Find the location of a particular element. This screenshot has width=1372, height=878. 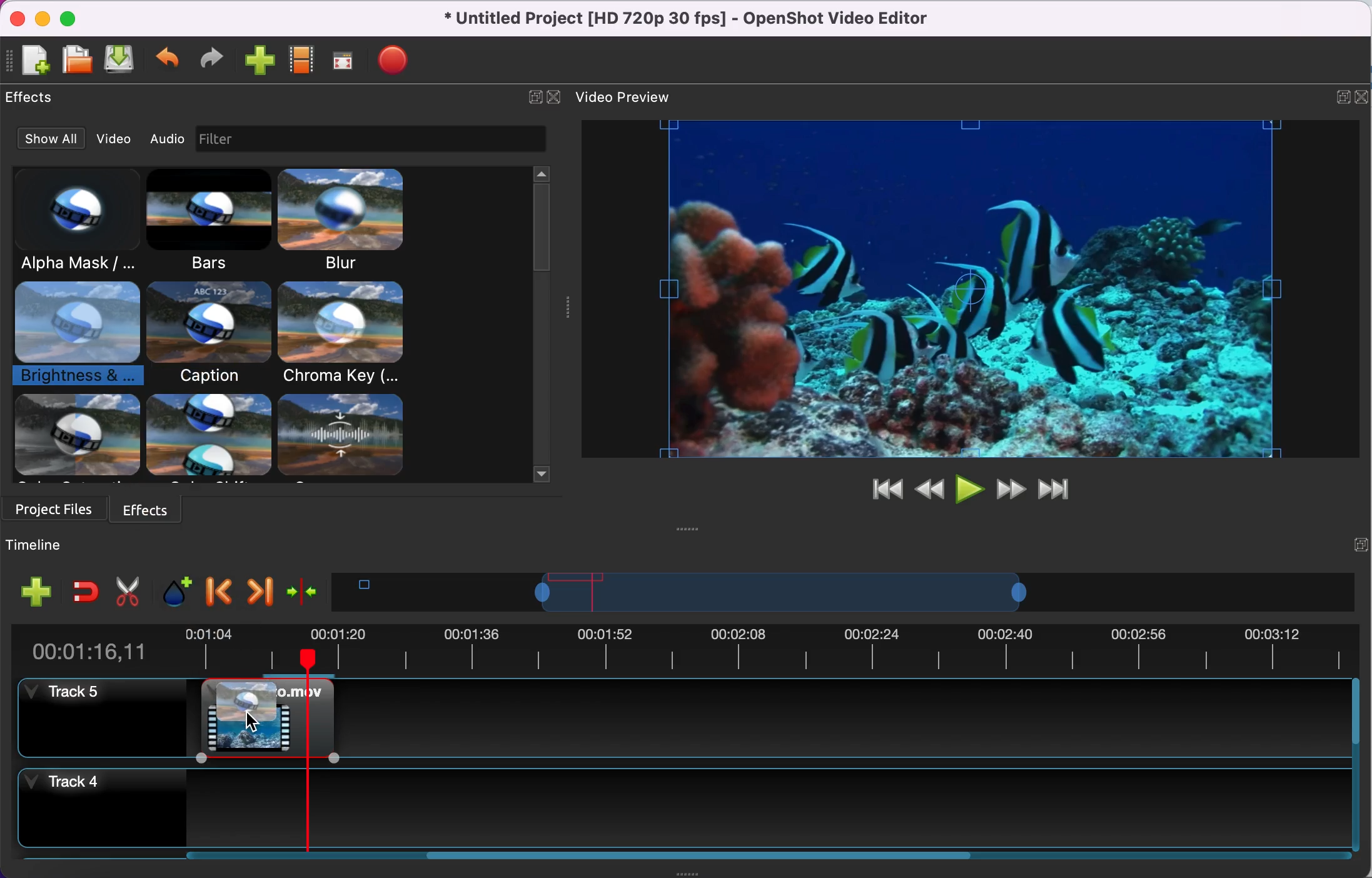

Vertical slide bar is located at coordinates (1356, 766).